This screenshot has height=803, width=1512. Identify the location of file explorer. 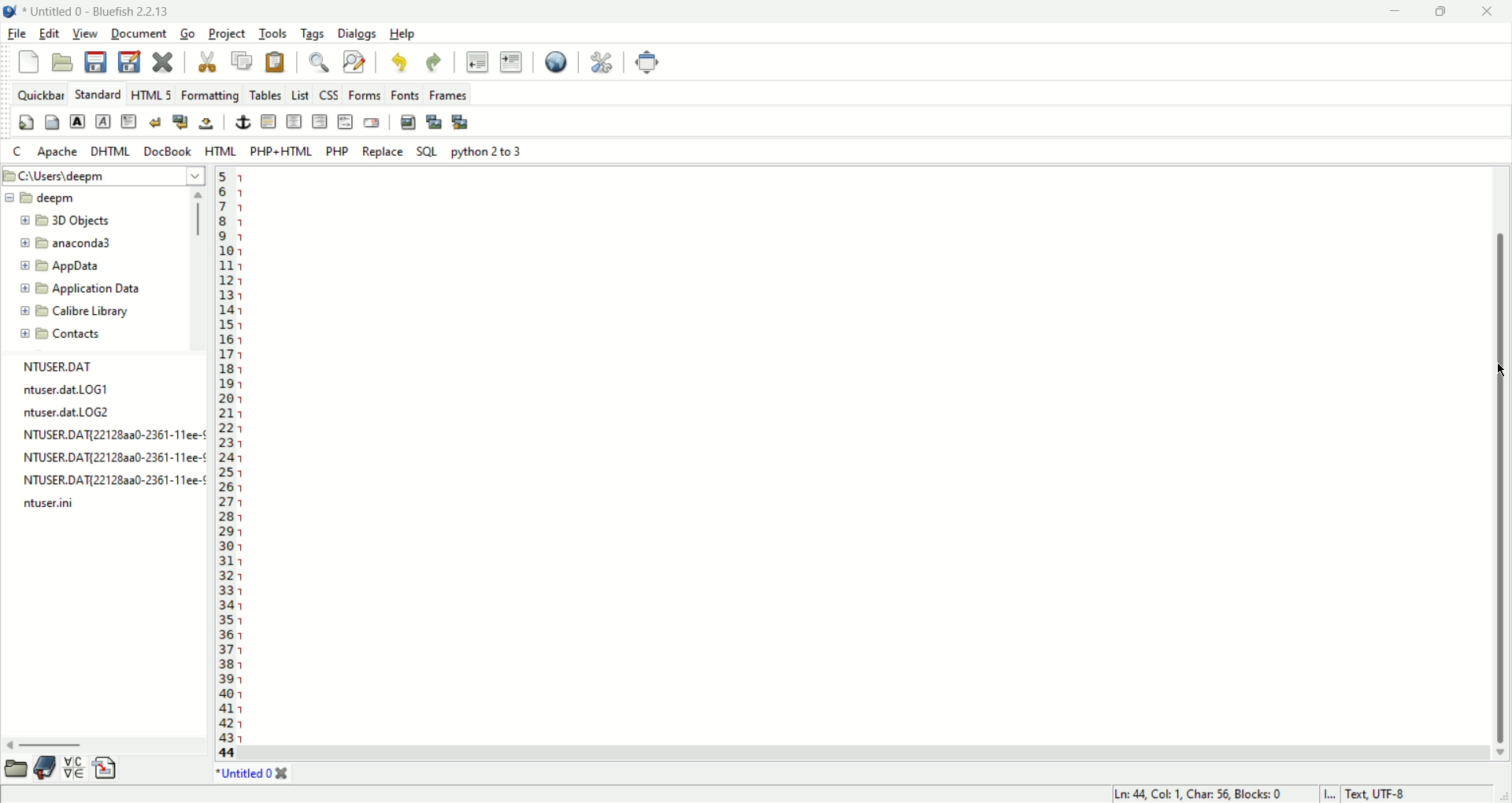
(14, 768).